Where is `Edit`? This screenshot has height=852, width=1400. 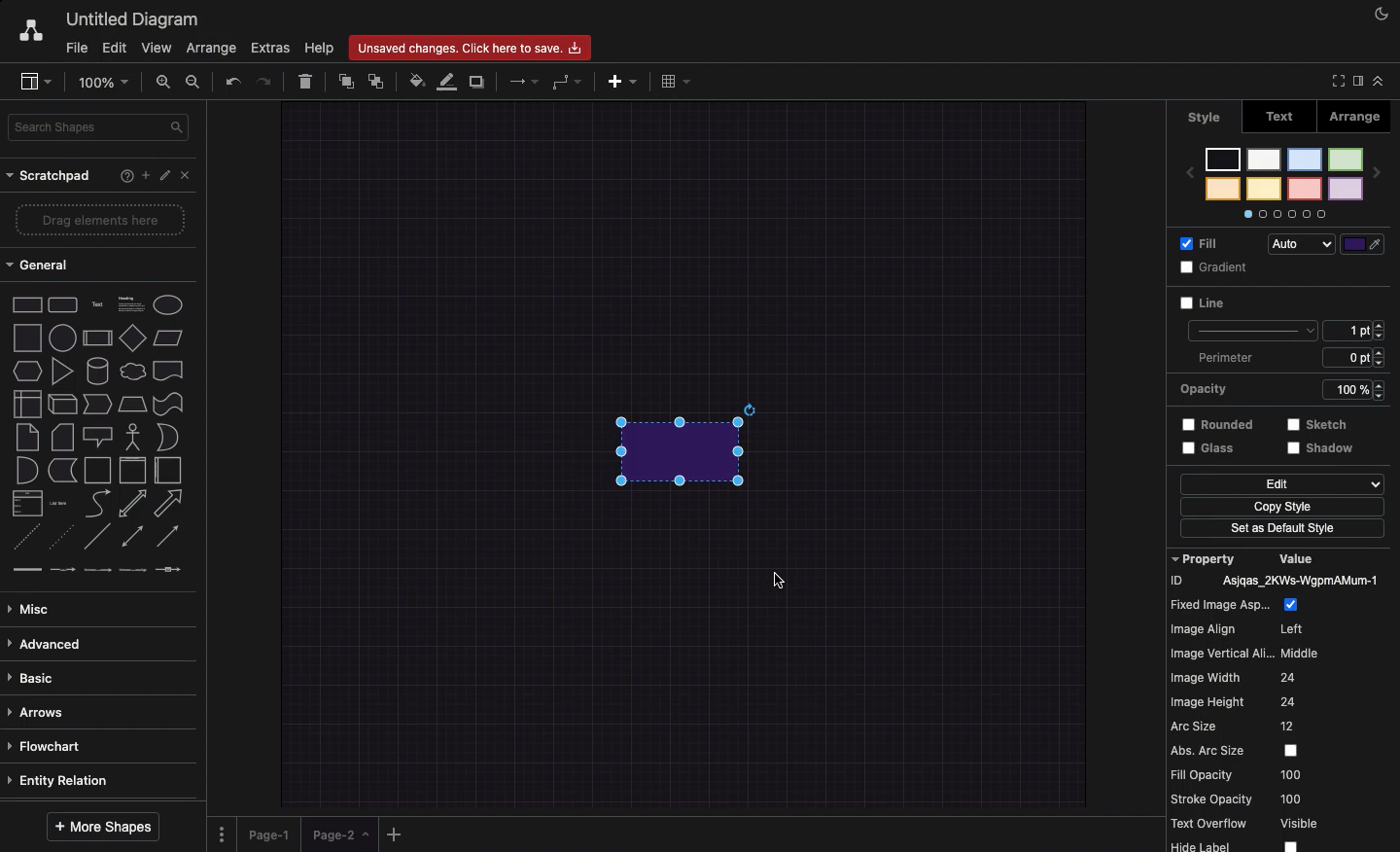
Edit is located at coordinates (165, 176).